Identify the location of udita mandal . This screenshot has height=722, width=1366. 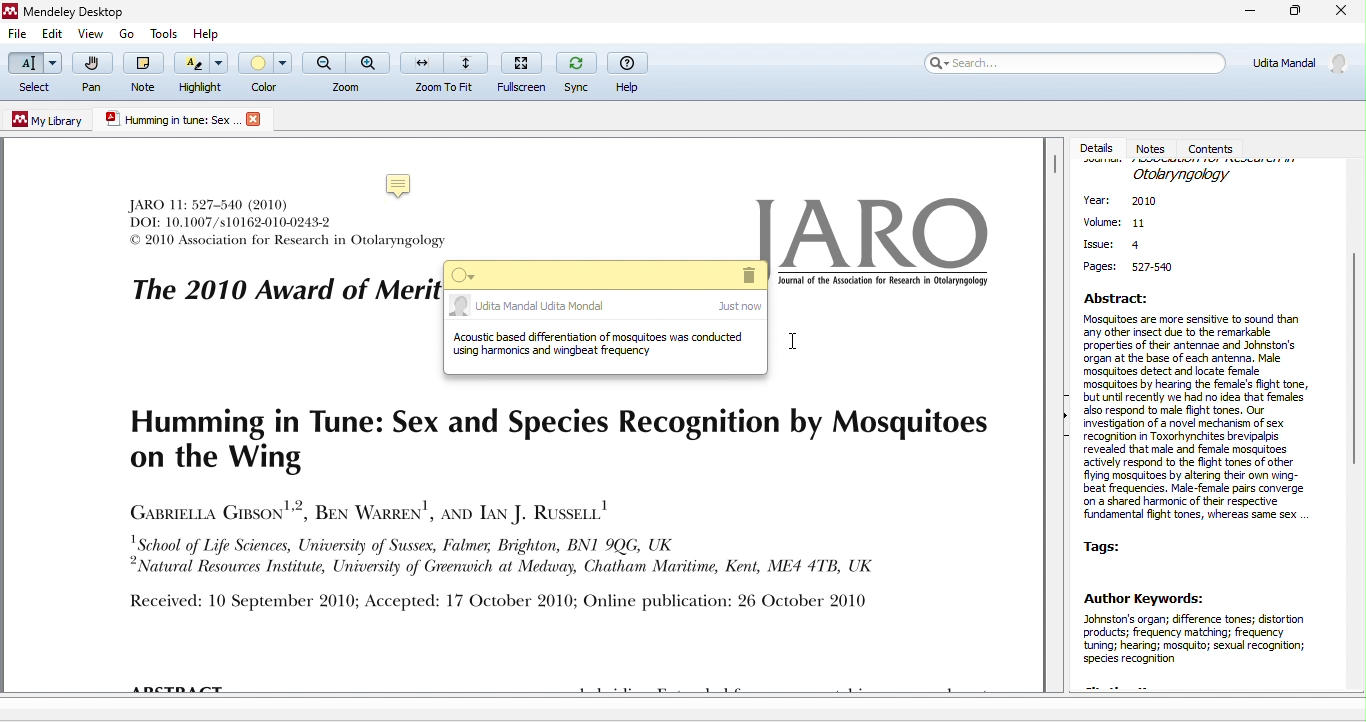
(602, 307).